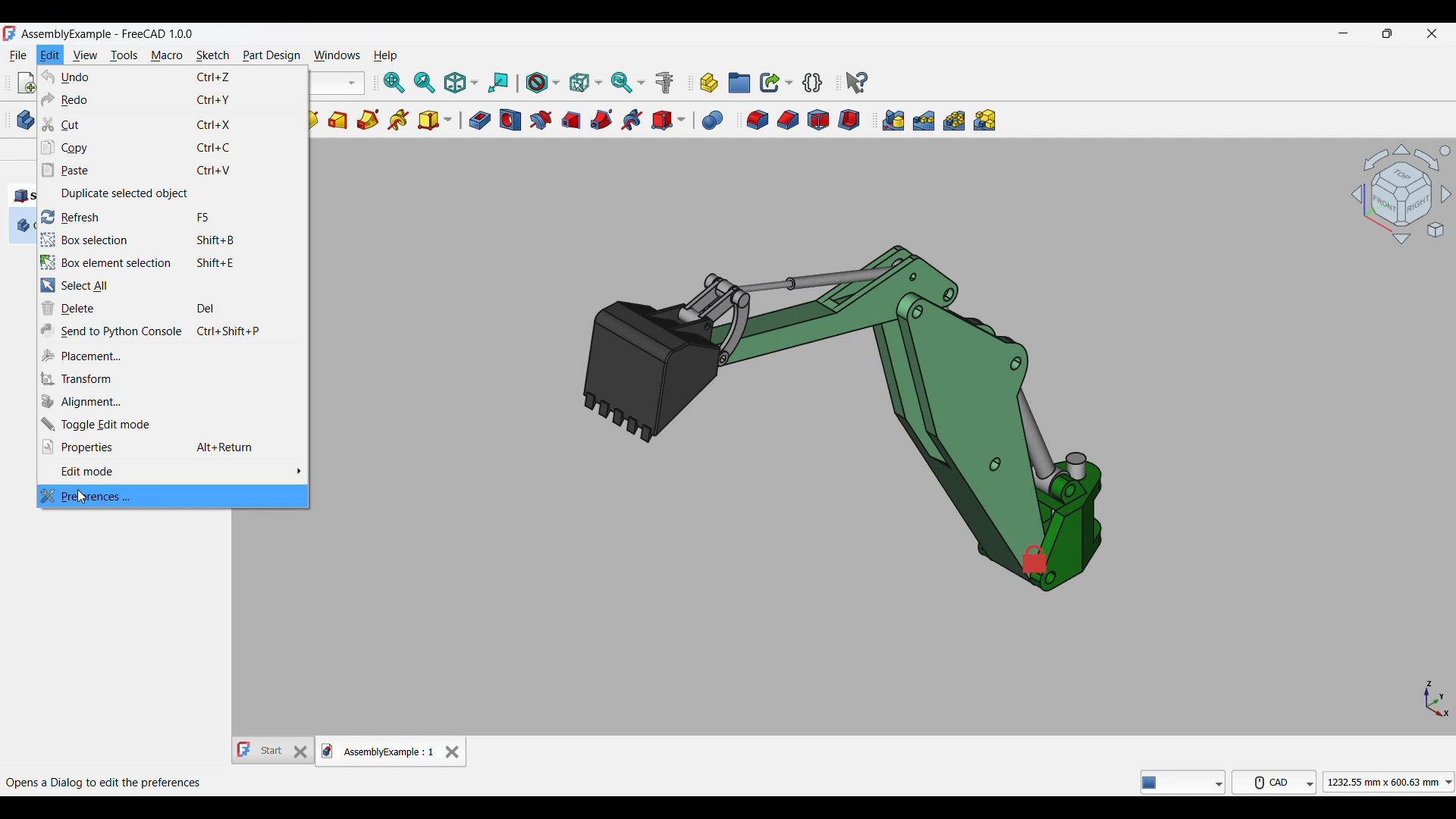 This screenshot has height=819, width=1456. Describe the element at coordinates (631, 121) in the screenshot. I see `Subtractive helix` at that location.